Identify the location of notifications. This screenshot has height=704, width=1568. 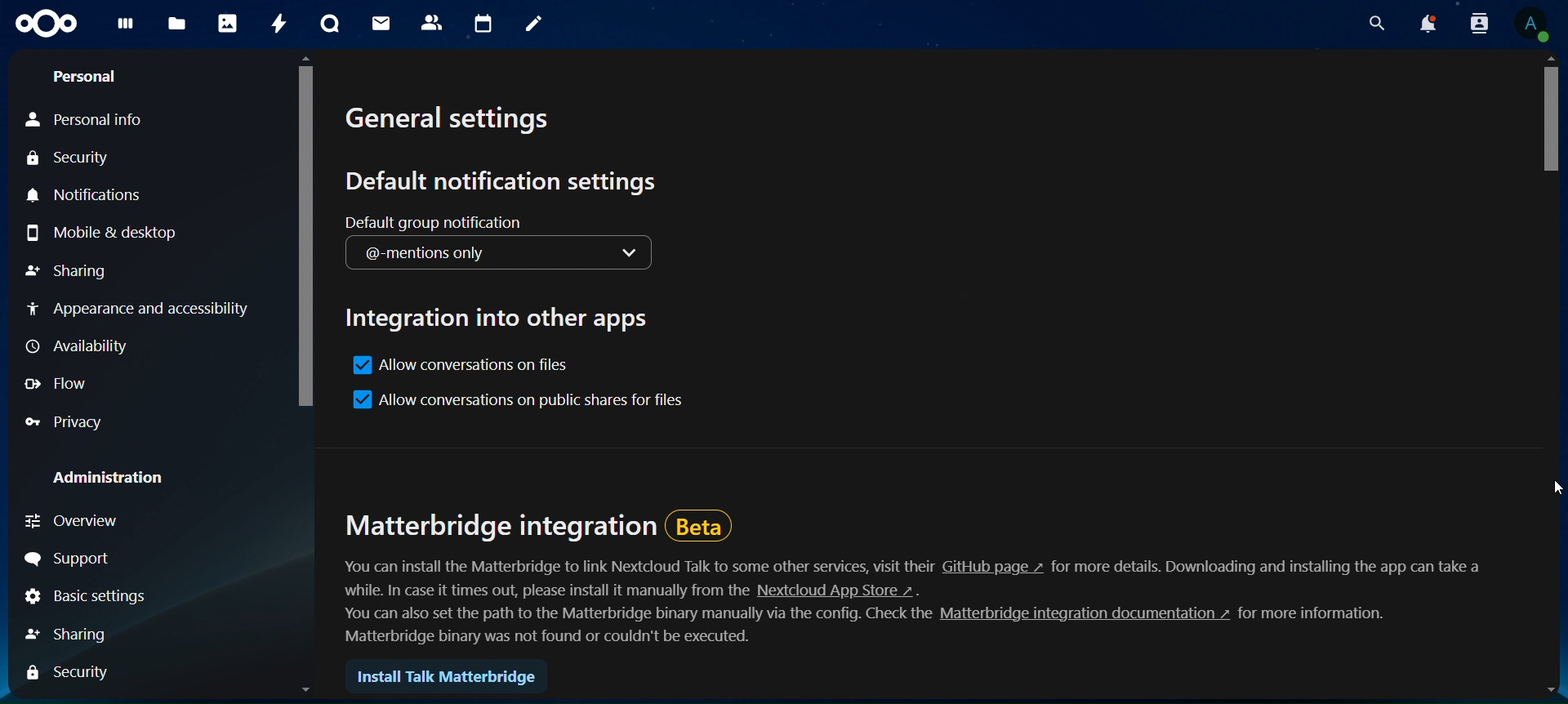
(91, 194).